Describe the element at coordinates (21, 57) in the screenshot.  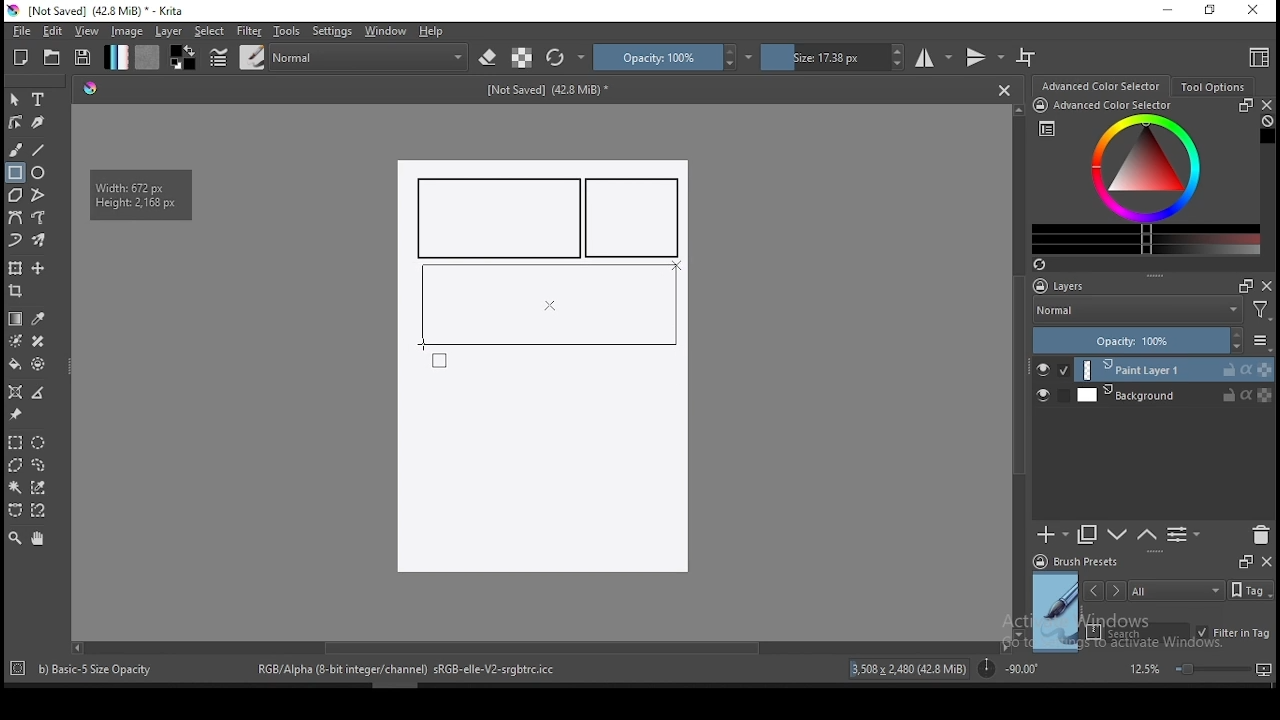
I see `new` at that location.